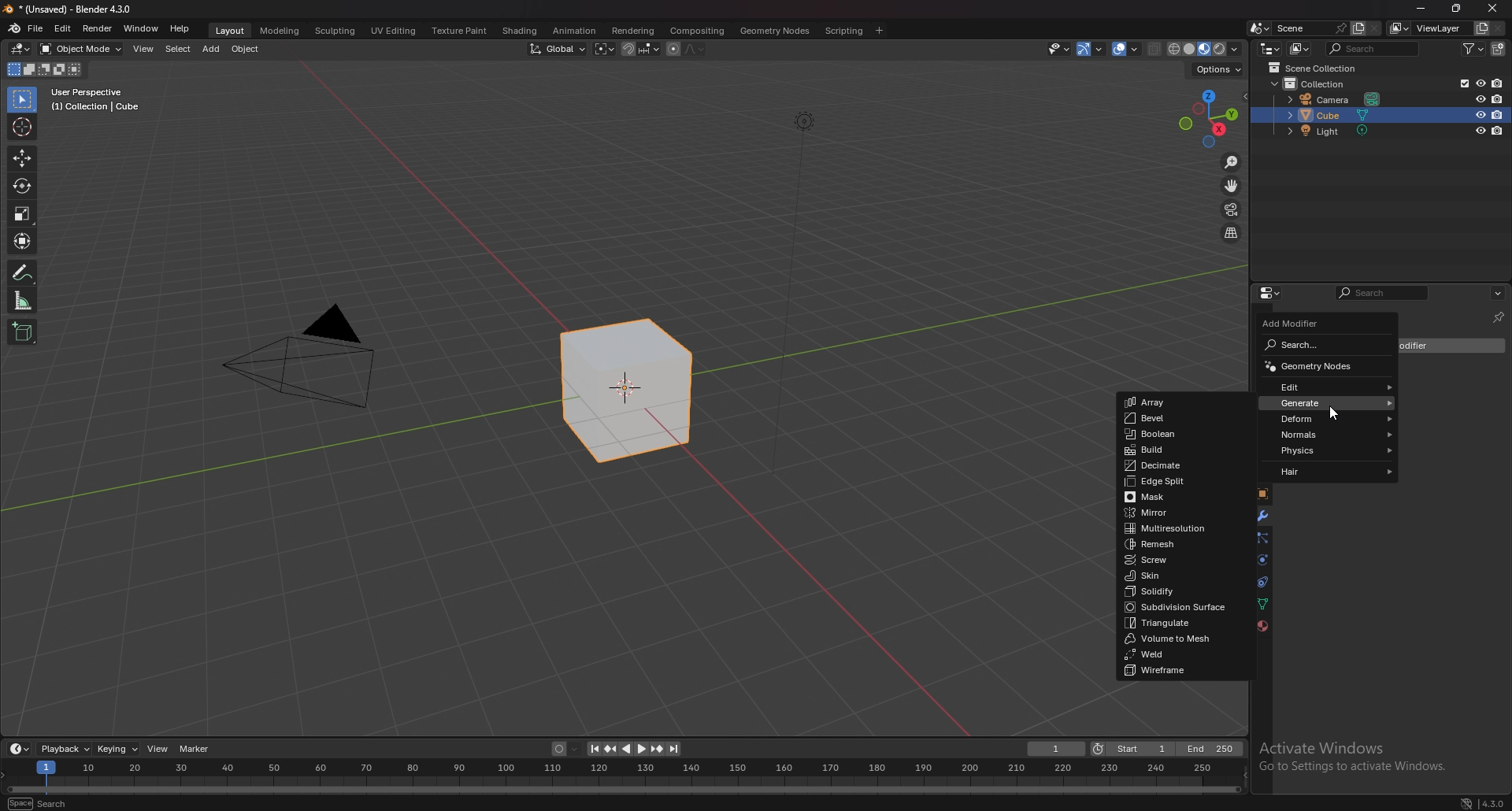 This screenshot has width=1512, height=811. Describe the element at coordinates (1498, 99) in the screenshot. I see `disable in renders` at that location.